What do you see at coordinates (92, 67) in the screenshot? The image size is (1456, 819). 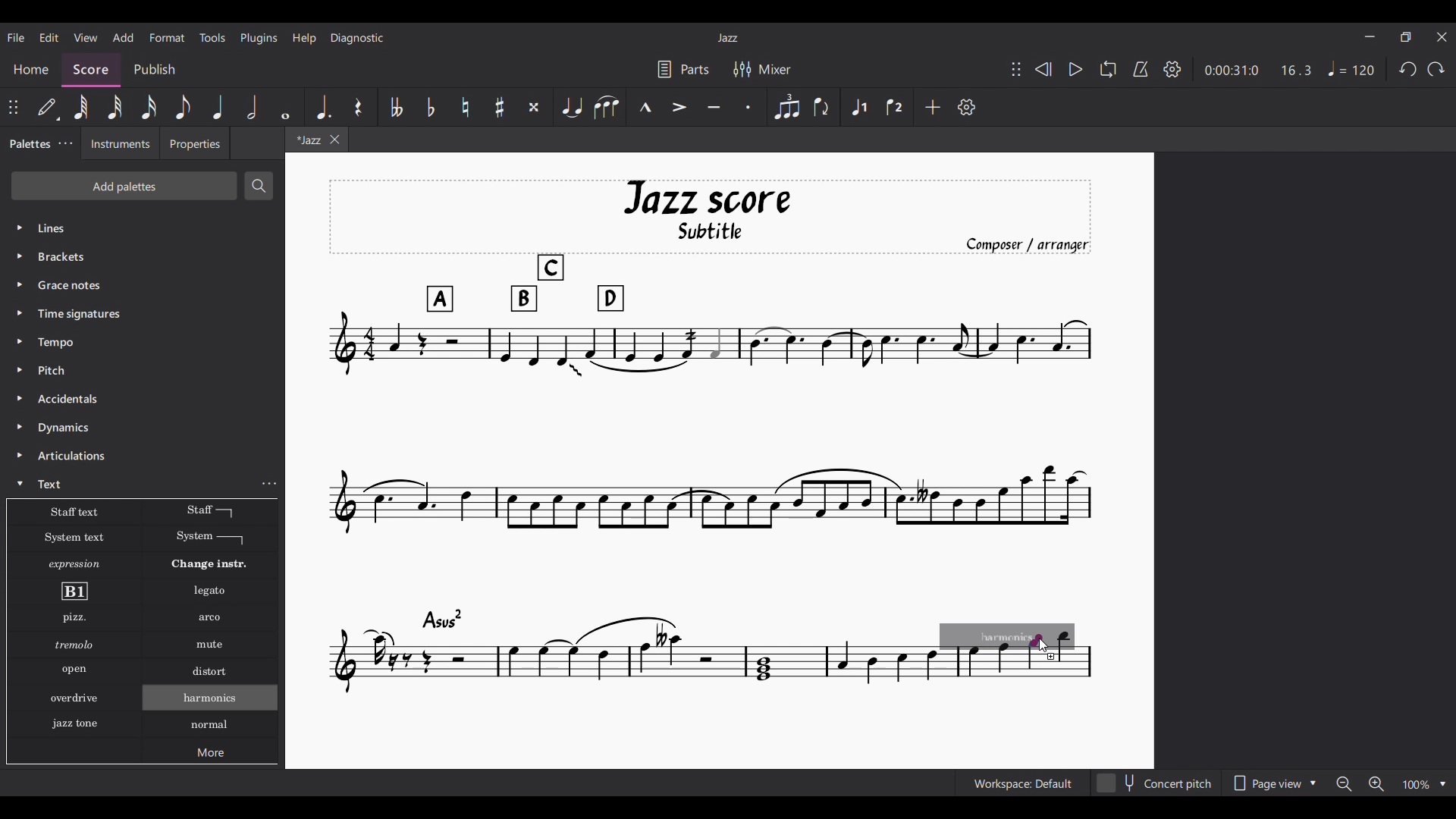 I see `Score, current section highlighted` at bounding box center [92, 67].